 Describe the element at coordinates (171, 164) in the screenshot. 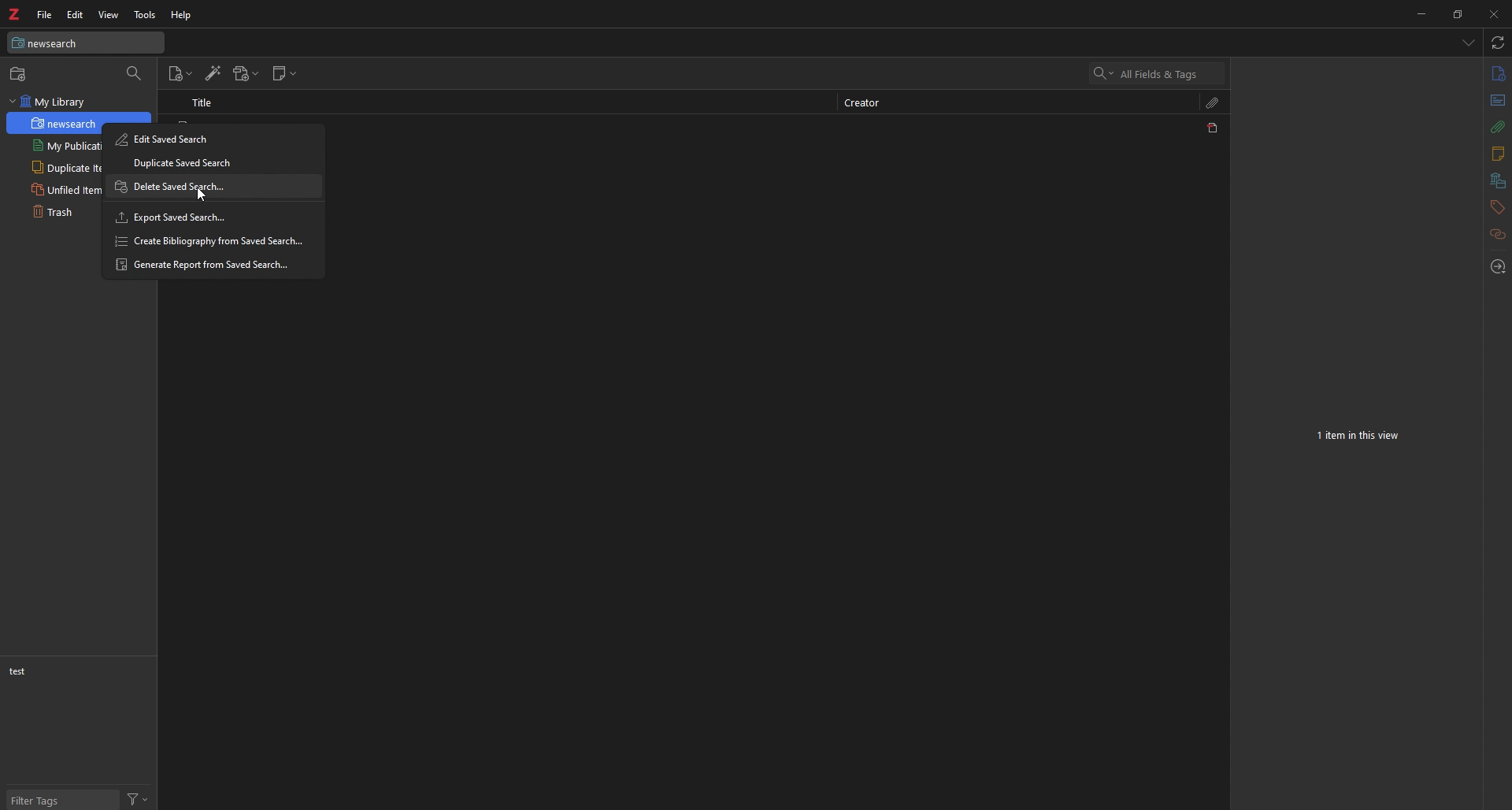

I see `Duplicate Saved Search` at that location.